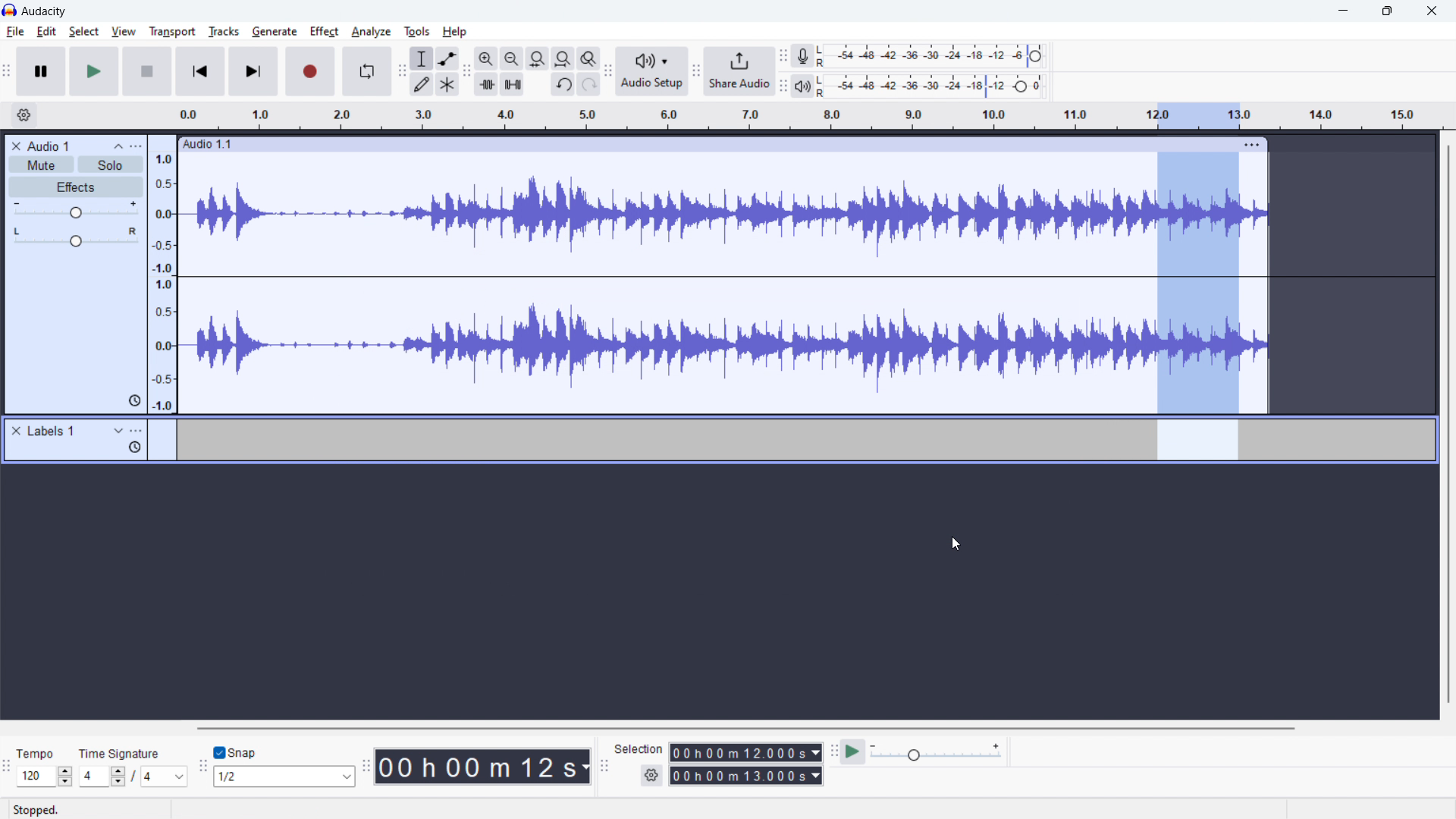 This screenshot has width=1456, height=819. I want to click on play at speed toolbar, so click(833, 753).